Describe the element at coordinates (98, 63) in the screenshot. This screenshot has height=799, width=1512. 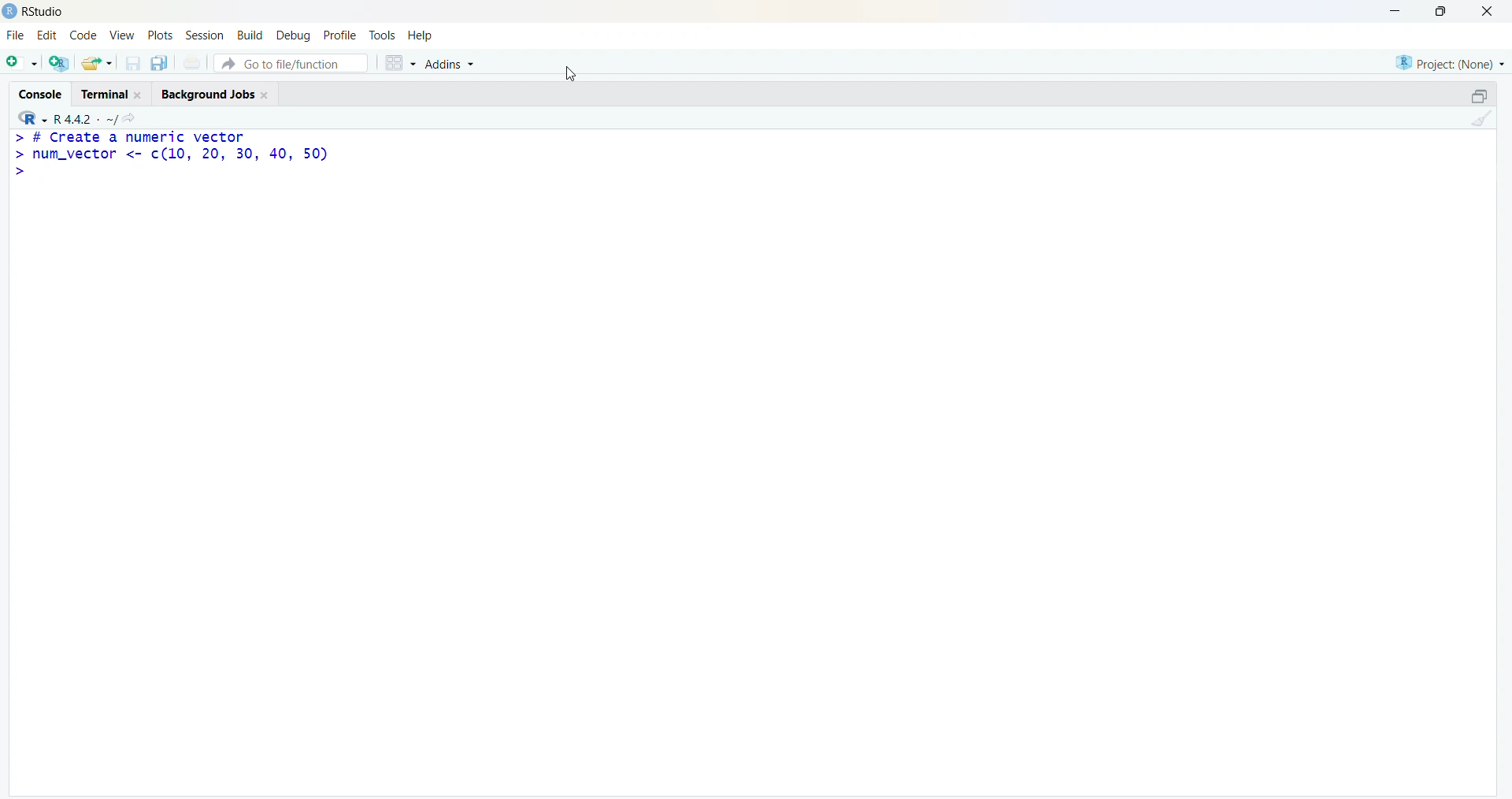
I see `share folder as` at that location.